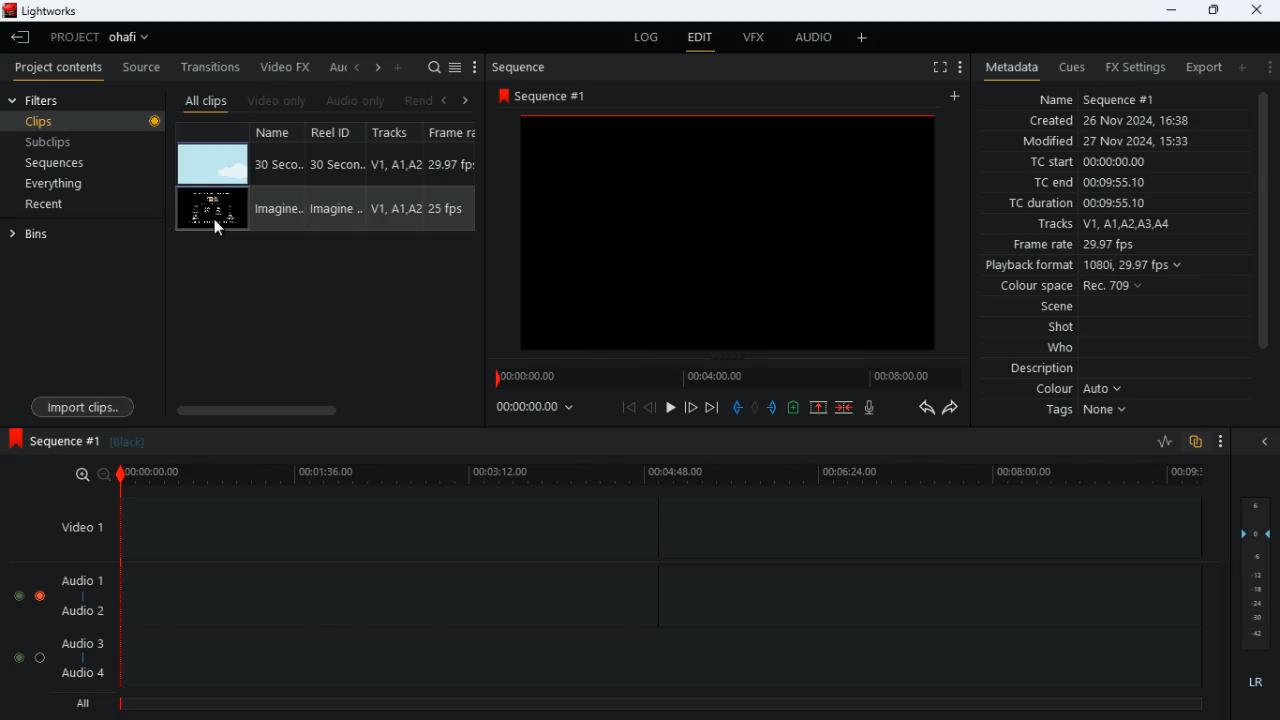  What do you see at coordinates (276, 210) in the screenshot?
I see `Name` at bounding box center [276, 210].